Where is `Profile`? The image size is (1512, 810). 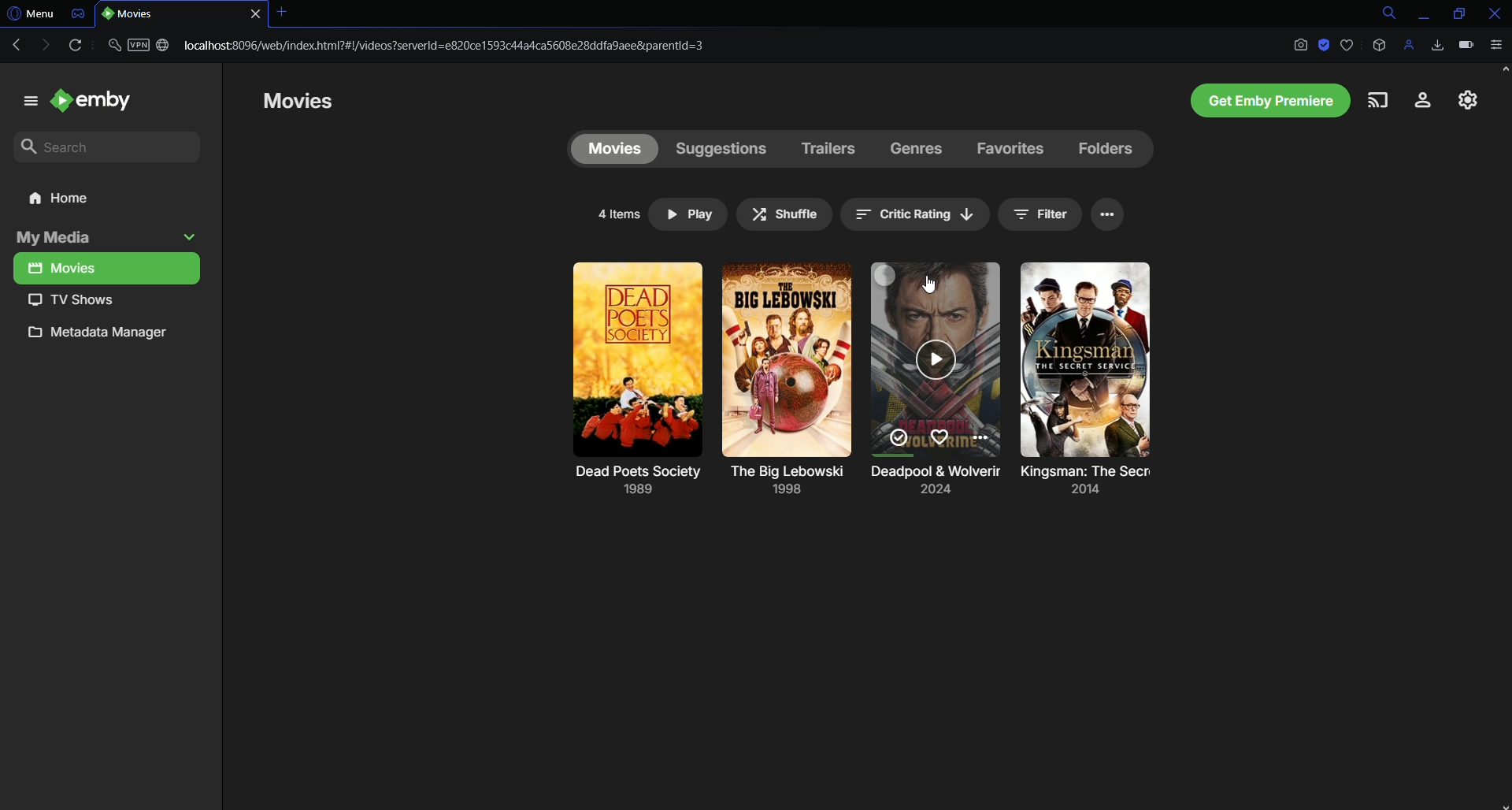 Profile is located at coordinates (1410, 46).